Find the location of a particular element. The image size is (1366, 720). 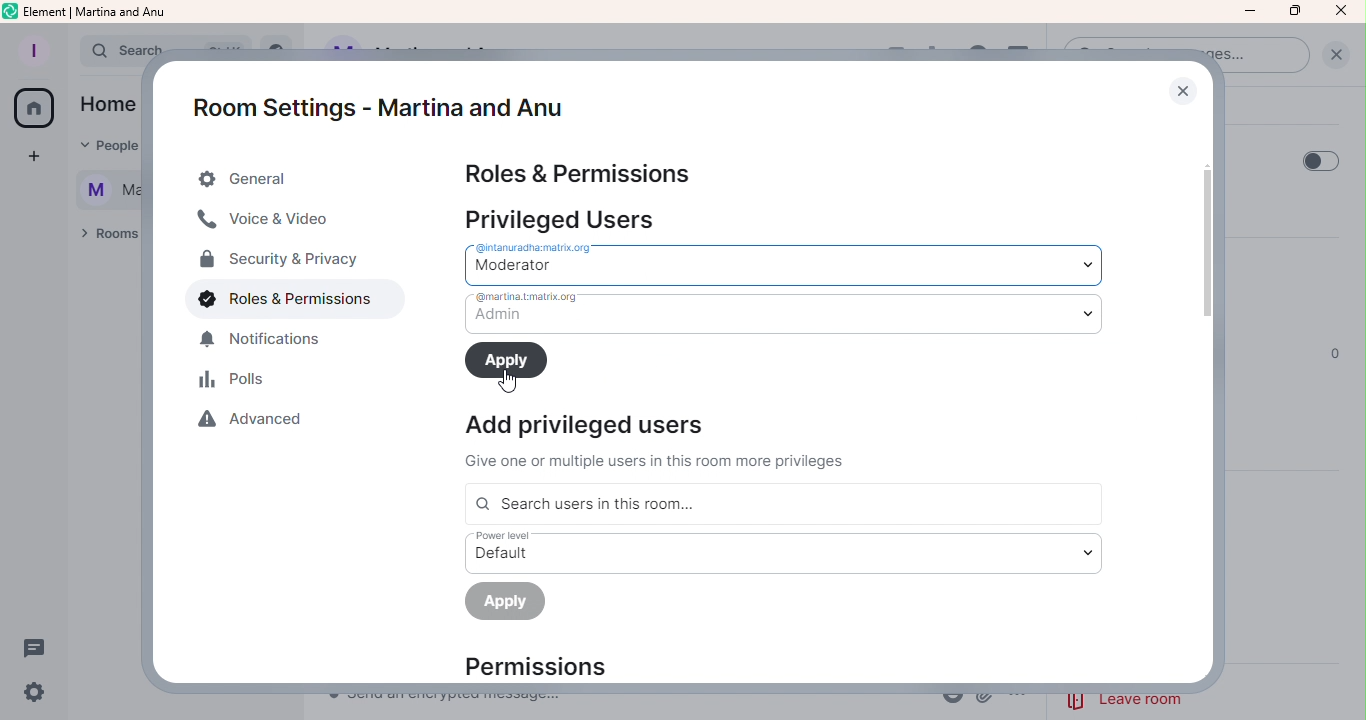

Home is located at coordinates (105, 106).